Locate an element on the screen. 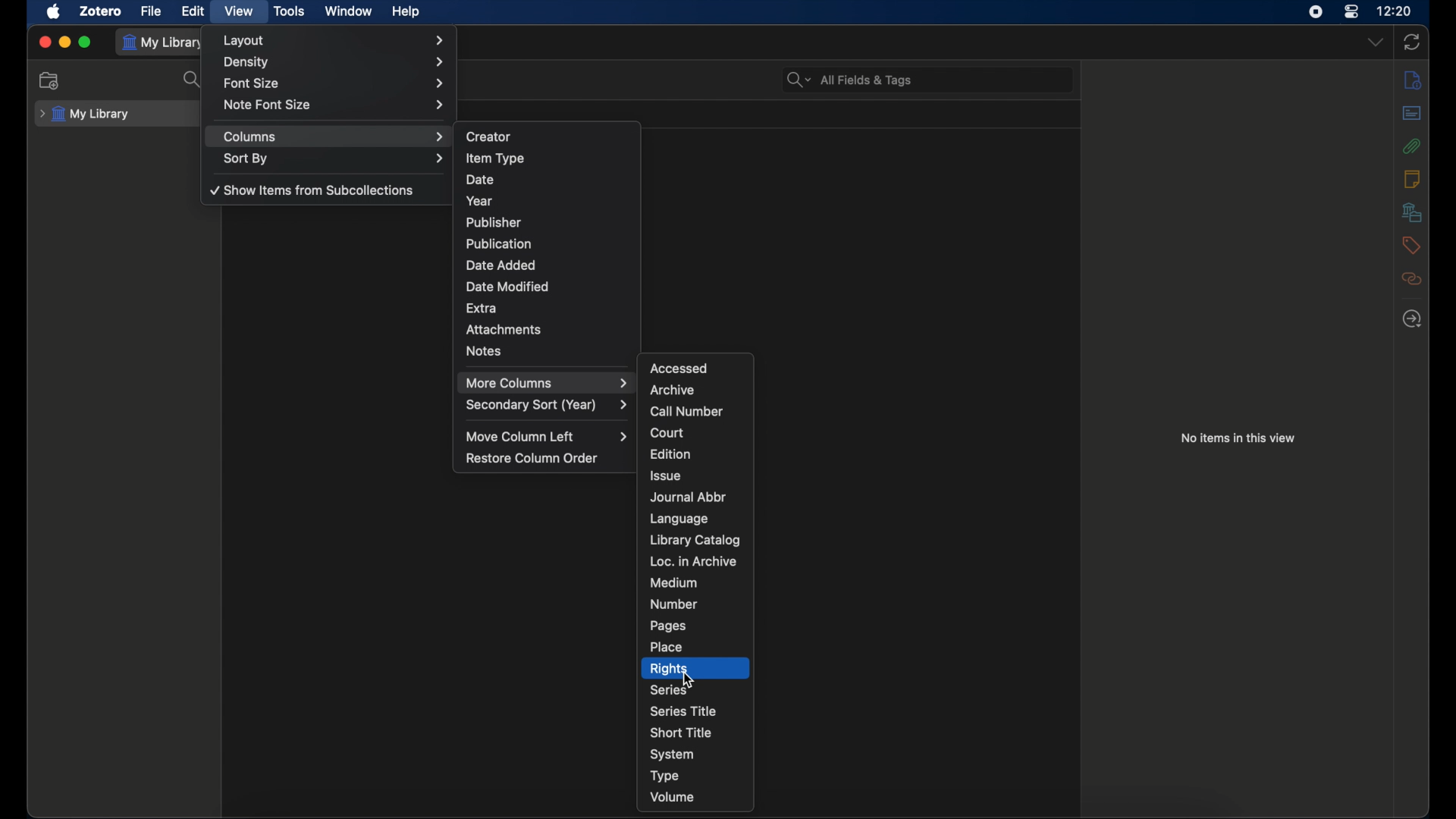 The width and height of the screenshot is (1456, 819). archive is located at coordinates (672, 390).